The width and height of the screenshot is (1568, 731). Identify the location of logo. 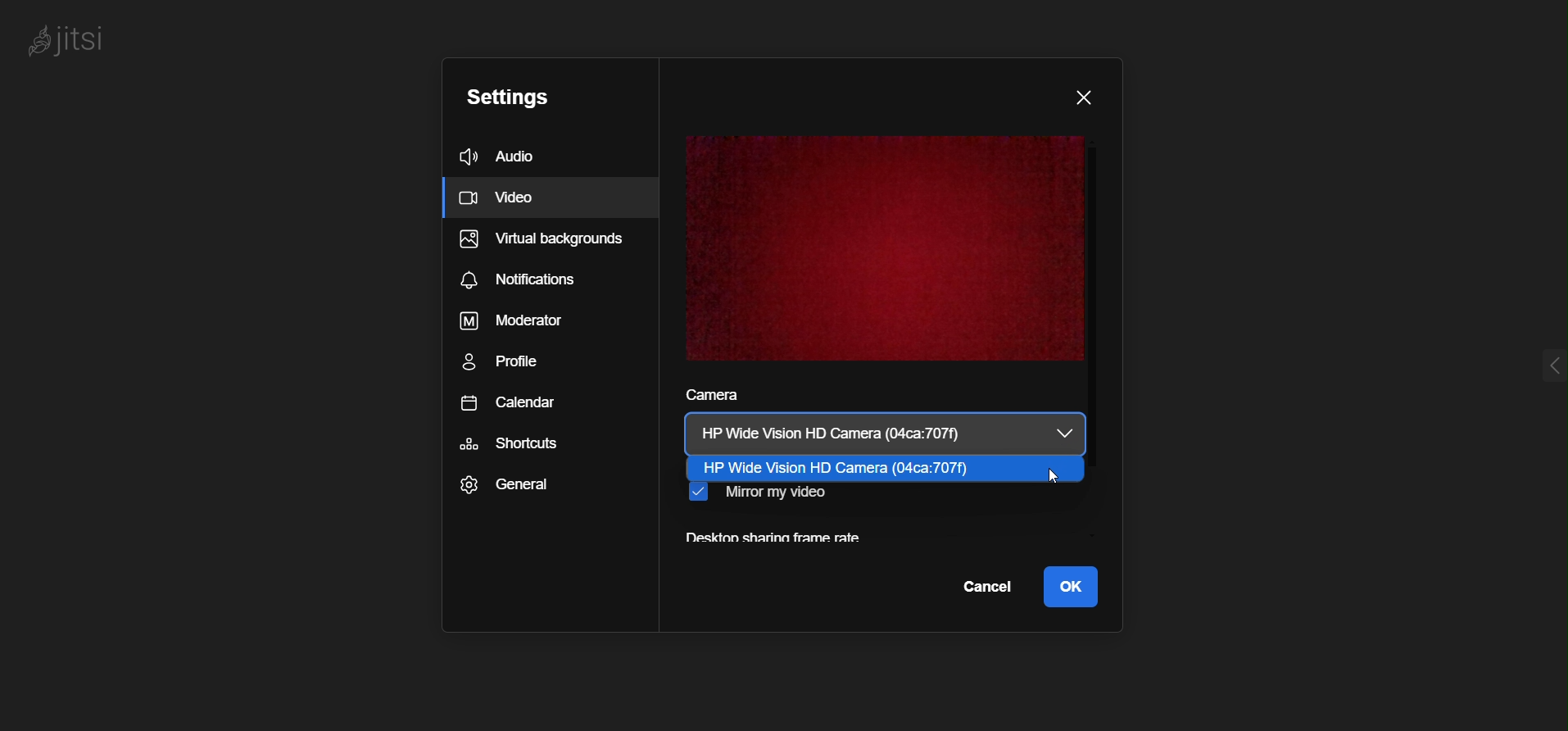
(78, 41).